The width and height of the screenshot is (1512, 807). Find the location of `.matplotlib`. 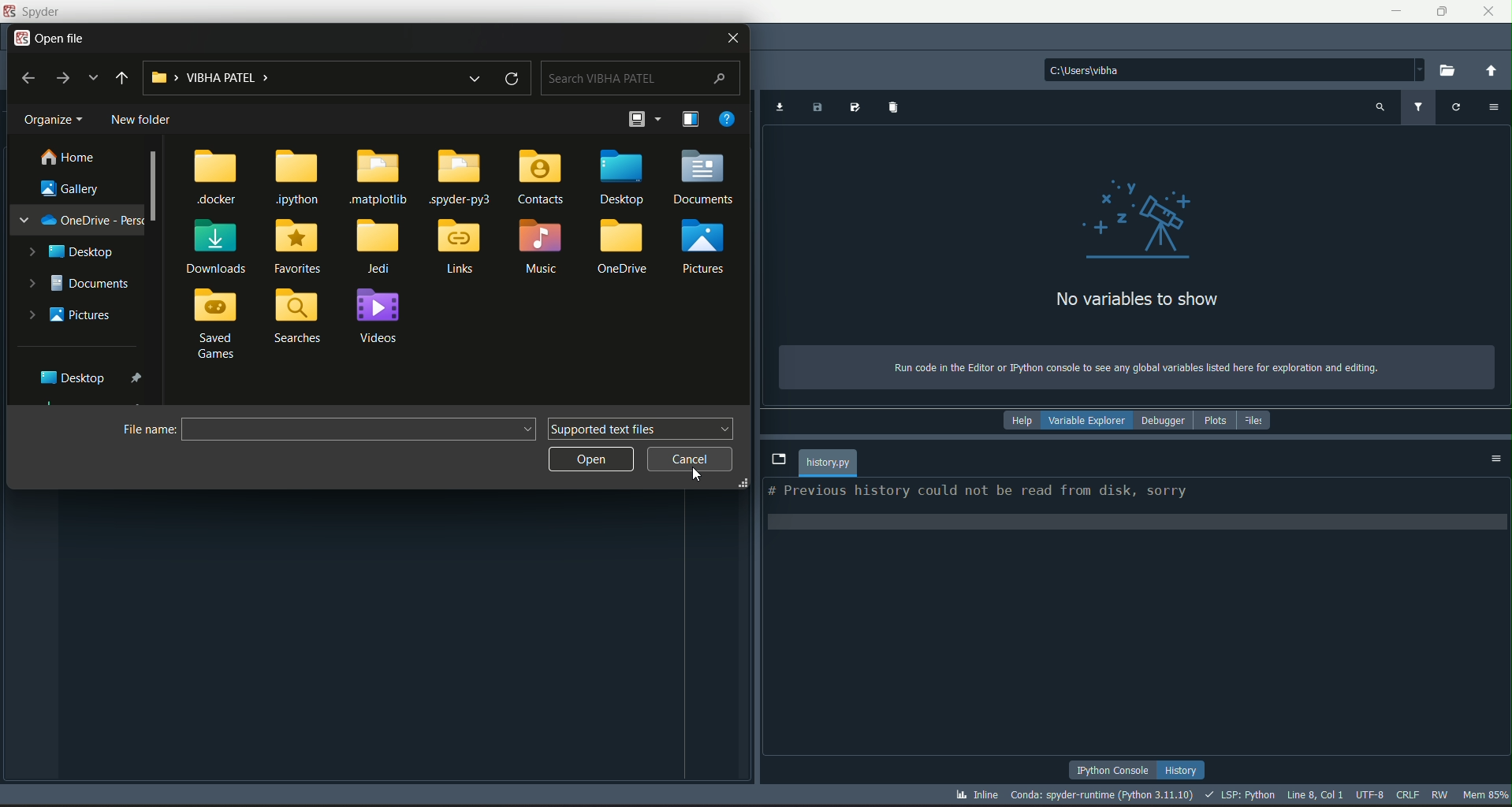

.matplotlib is located at coordinates (382, 177).